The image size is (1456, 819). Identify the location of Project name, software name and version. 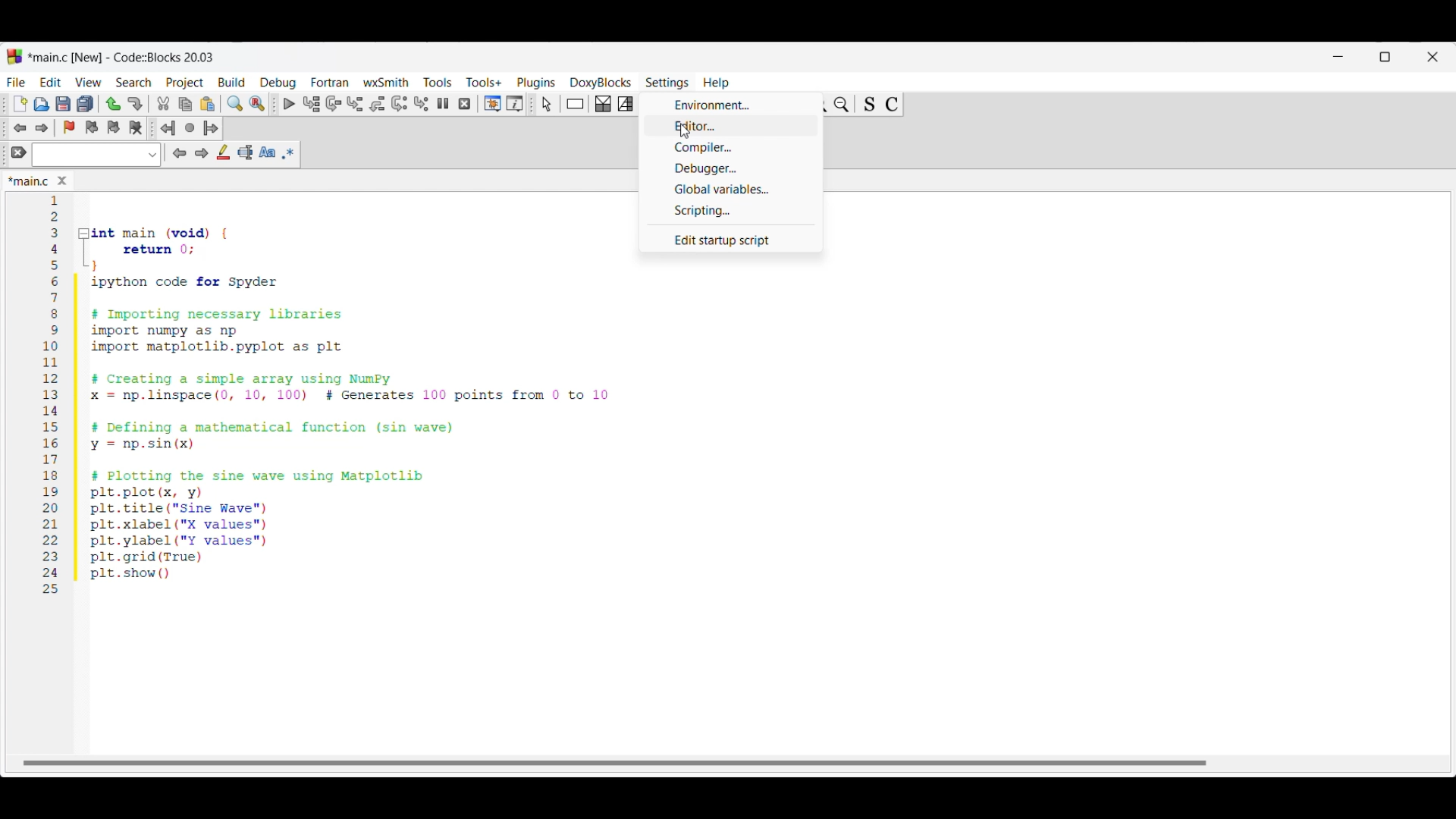
(124, 57).